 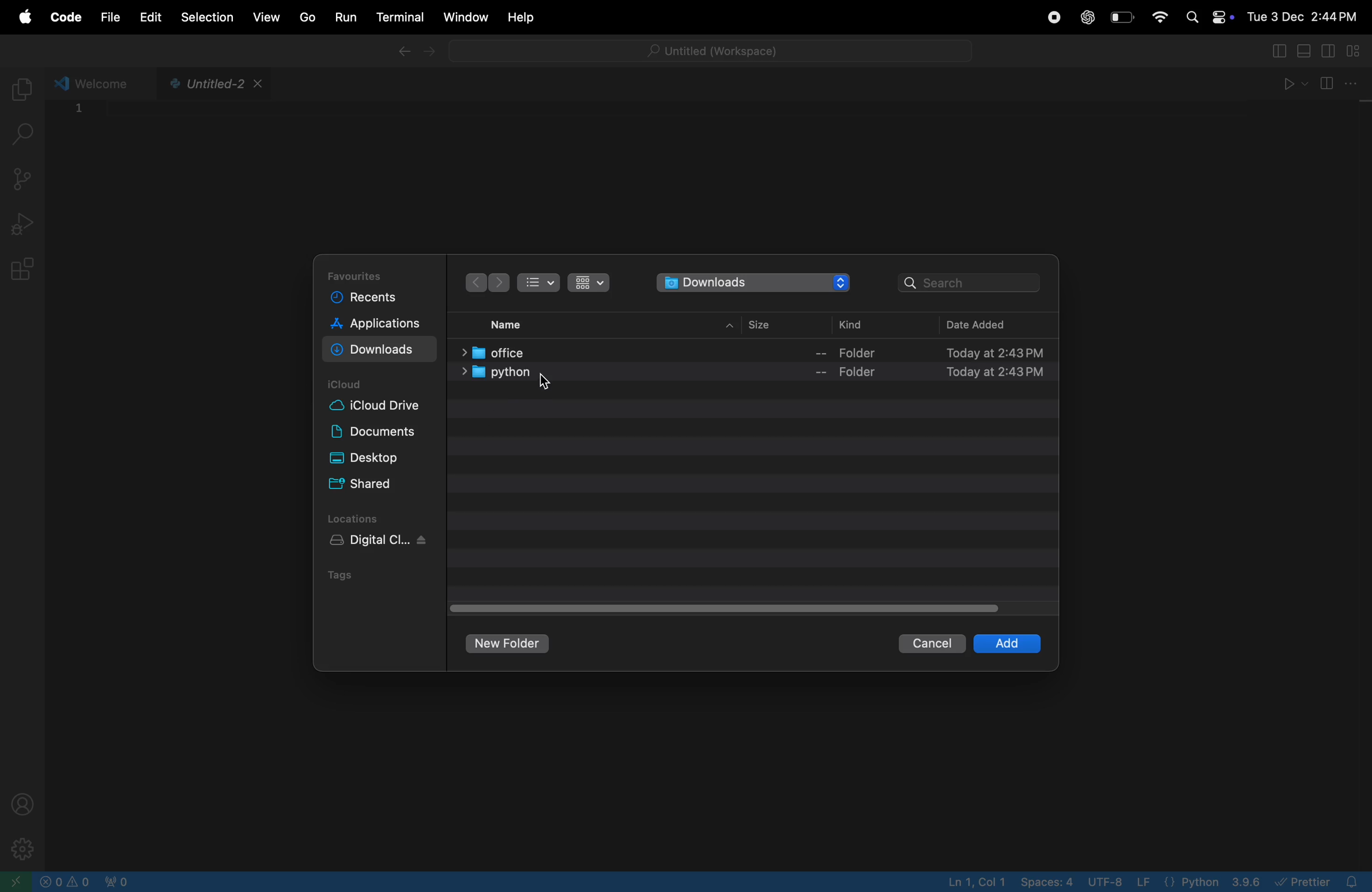 I want to click on toggle secondary sidebar, so click(x=1330, y=50).